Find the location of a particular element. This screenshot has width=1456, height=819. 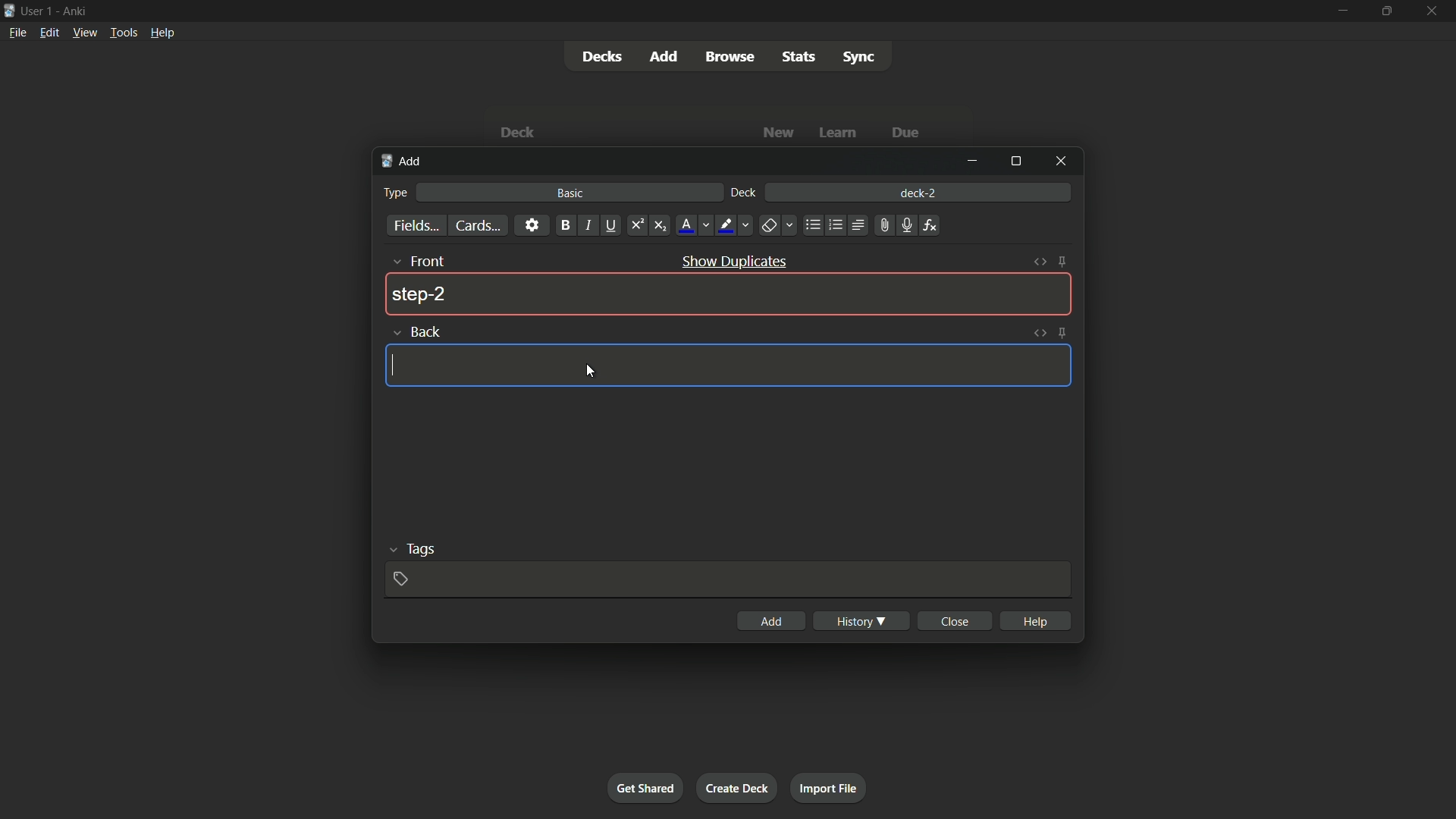

browse is located at coordinates (731, 57).